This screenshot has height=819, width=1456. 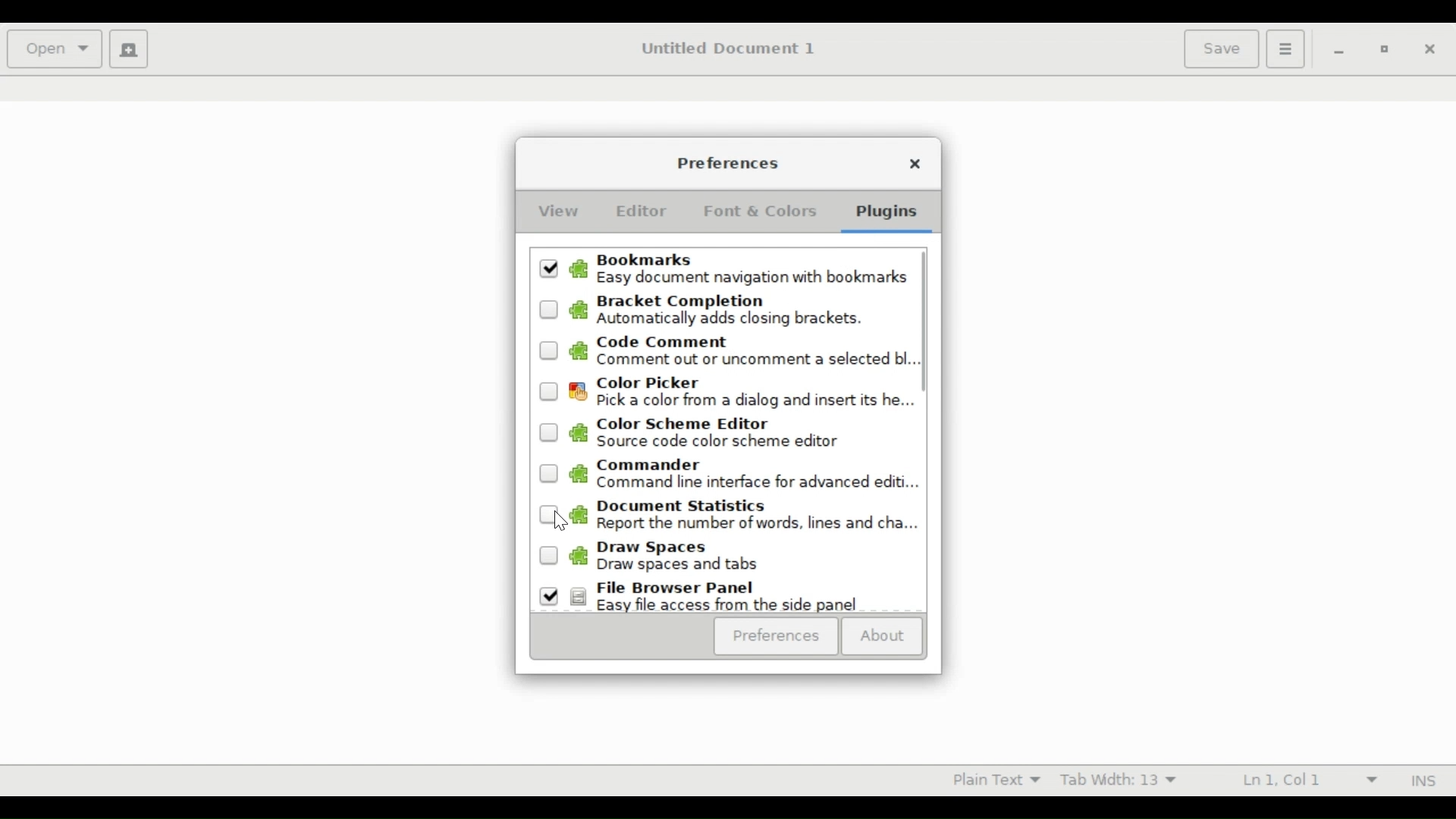 I want to click on (un)select Code Command. Comment out or uncomment a selected bl..., so click(x=741, y=353).